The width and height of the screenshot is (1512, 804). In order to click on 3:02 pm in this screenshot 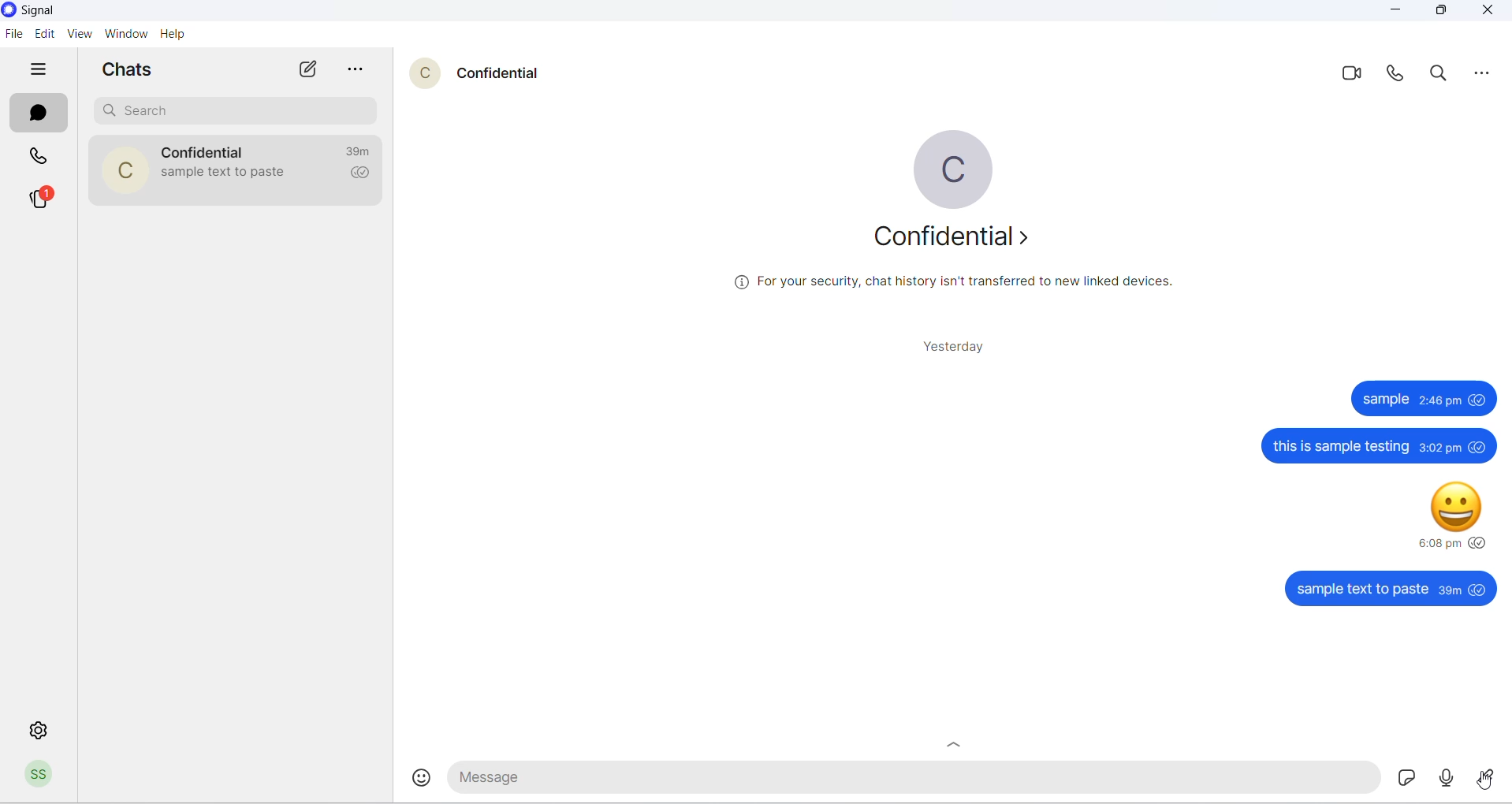, I will do `click(1439, 449)`.